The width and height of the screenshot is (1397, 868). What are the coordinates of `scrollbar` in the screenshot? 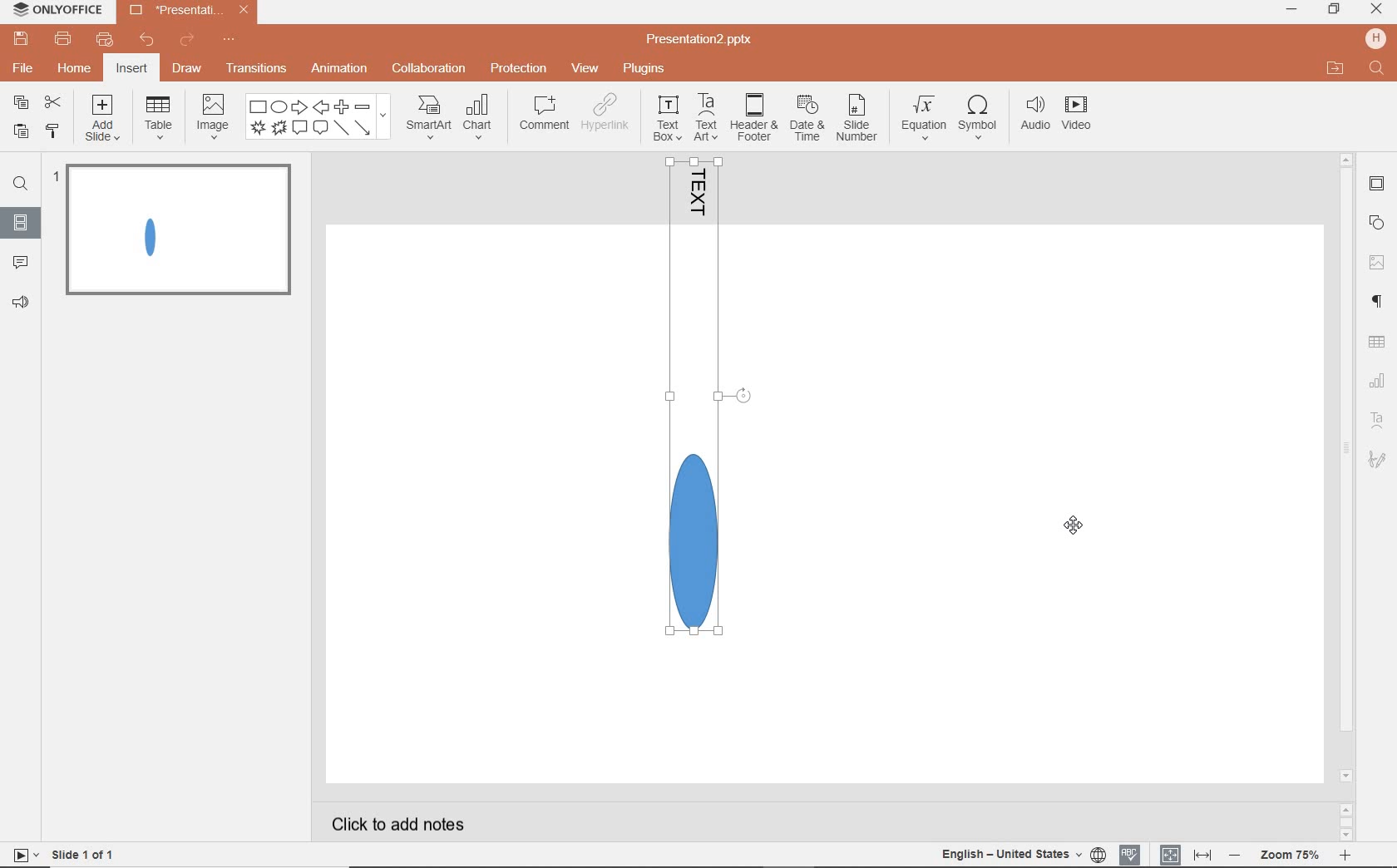 It's located at (1348, 467).